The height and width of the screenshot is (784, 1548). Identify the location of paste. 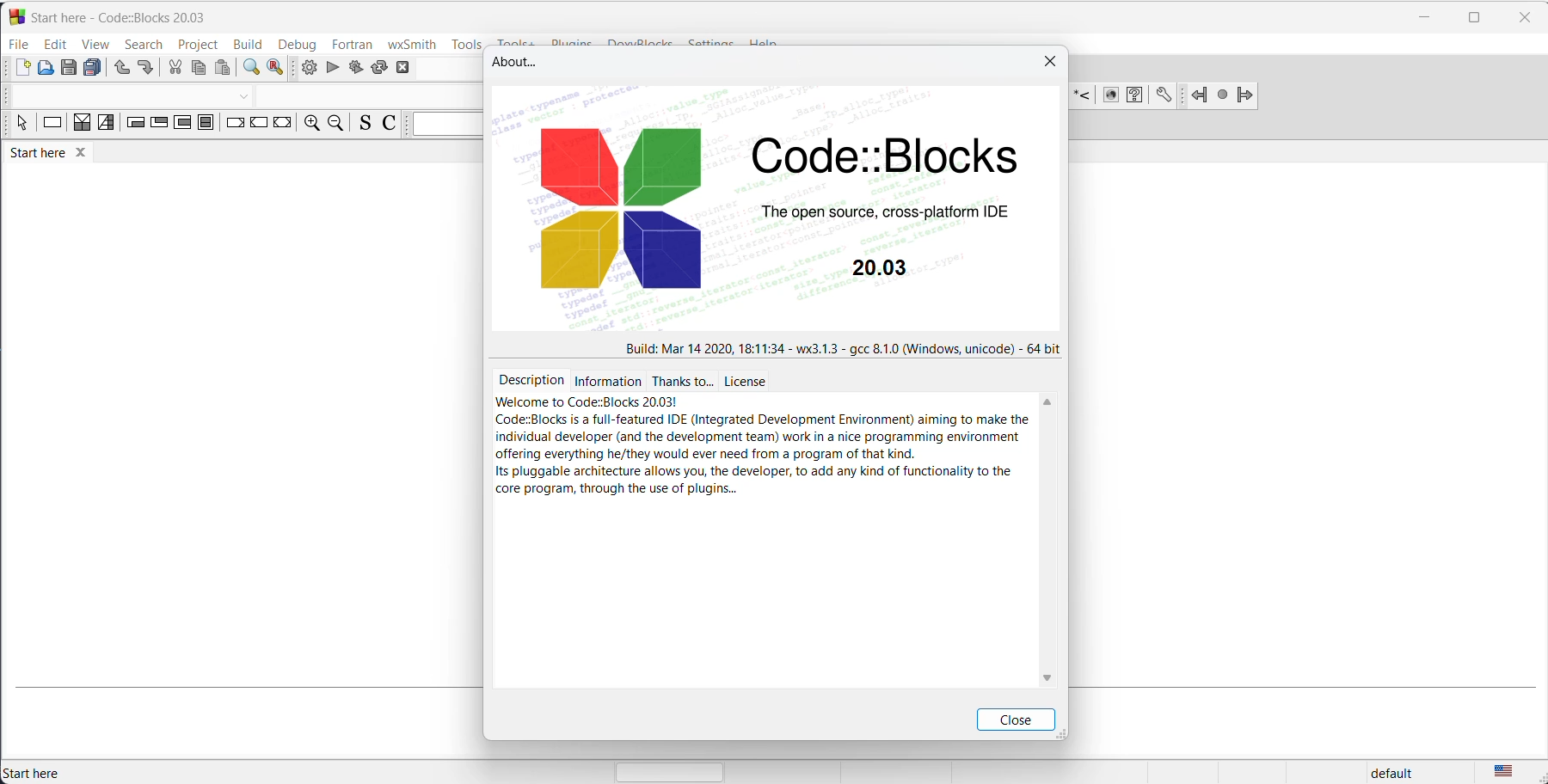
(224, 68).